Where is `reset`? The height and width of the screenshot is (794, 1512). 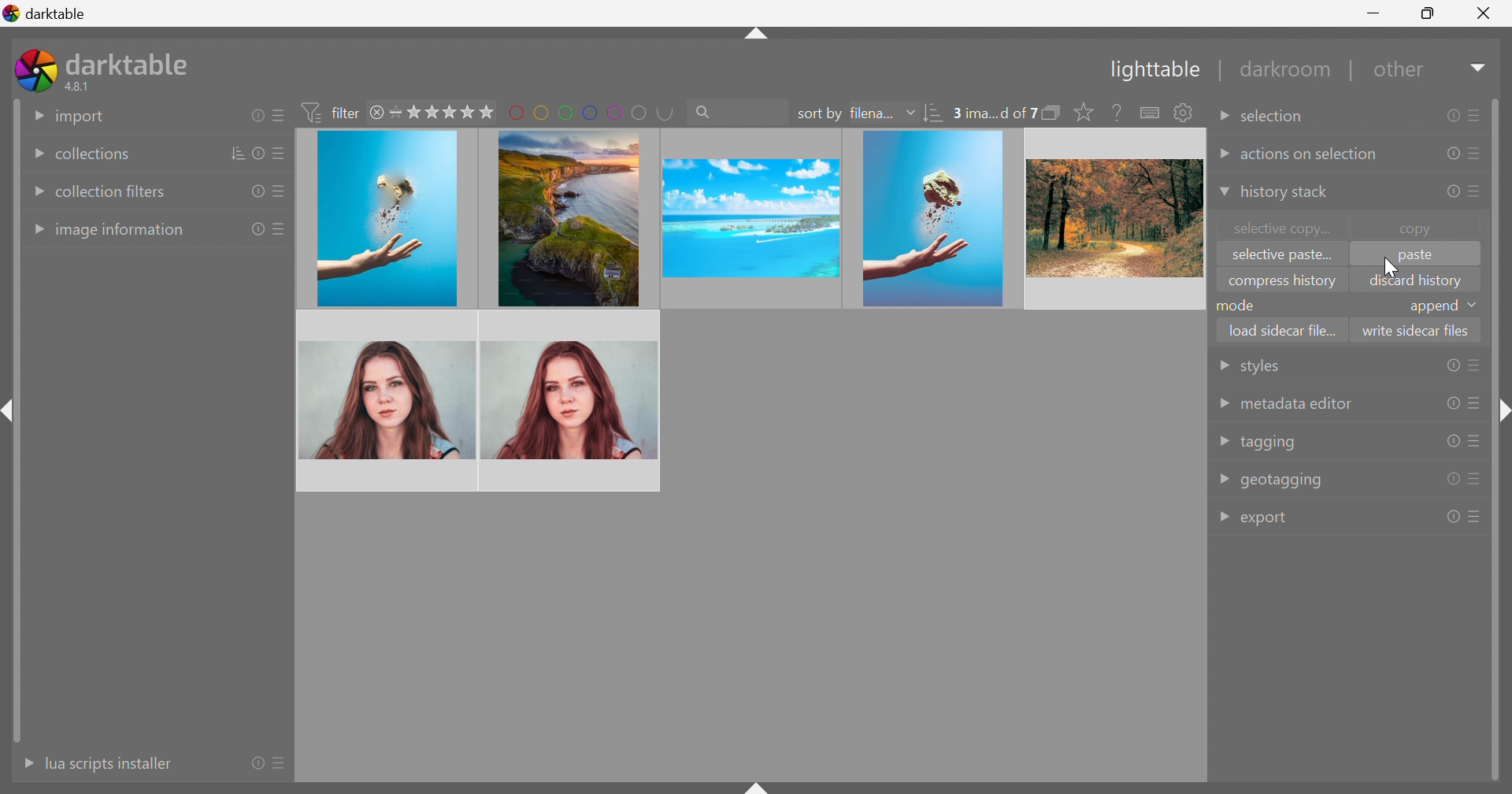 reset is located at coordinates (1450, 194).